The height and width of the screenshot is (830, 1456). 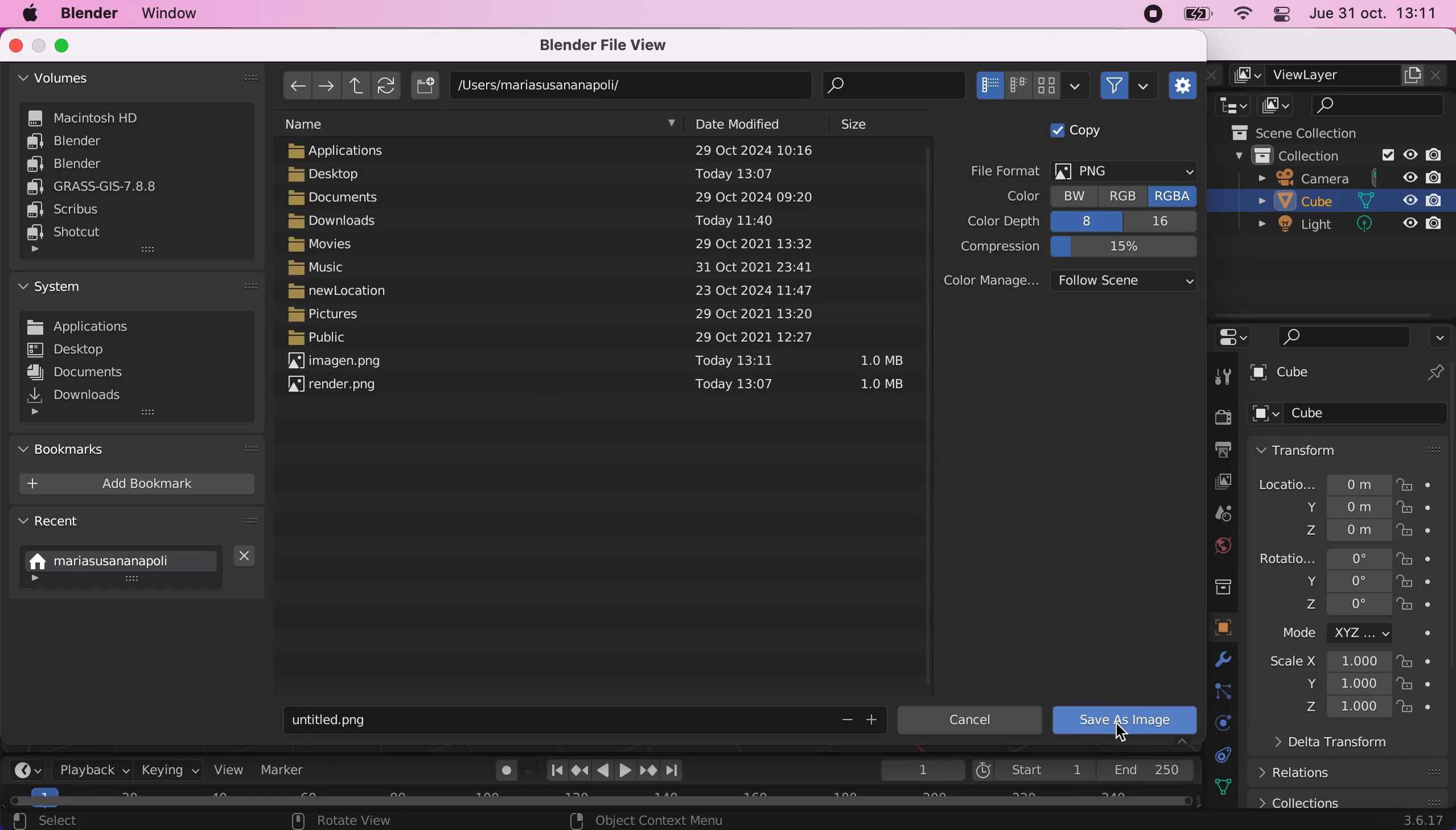 What do you see at coordinates (1324, 481) in the screenshot?
I see `location` at bounding box center [1324, 481].